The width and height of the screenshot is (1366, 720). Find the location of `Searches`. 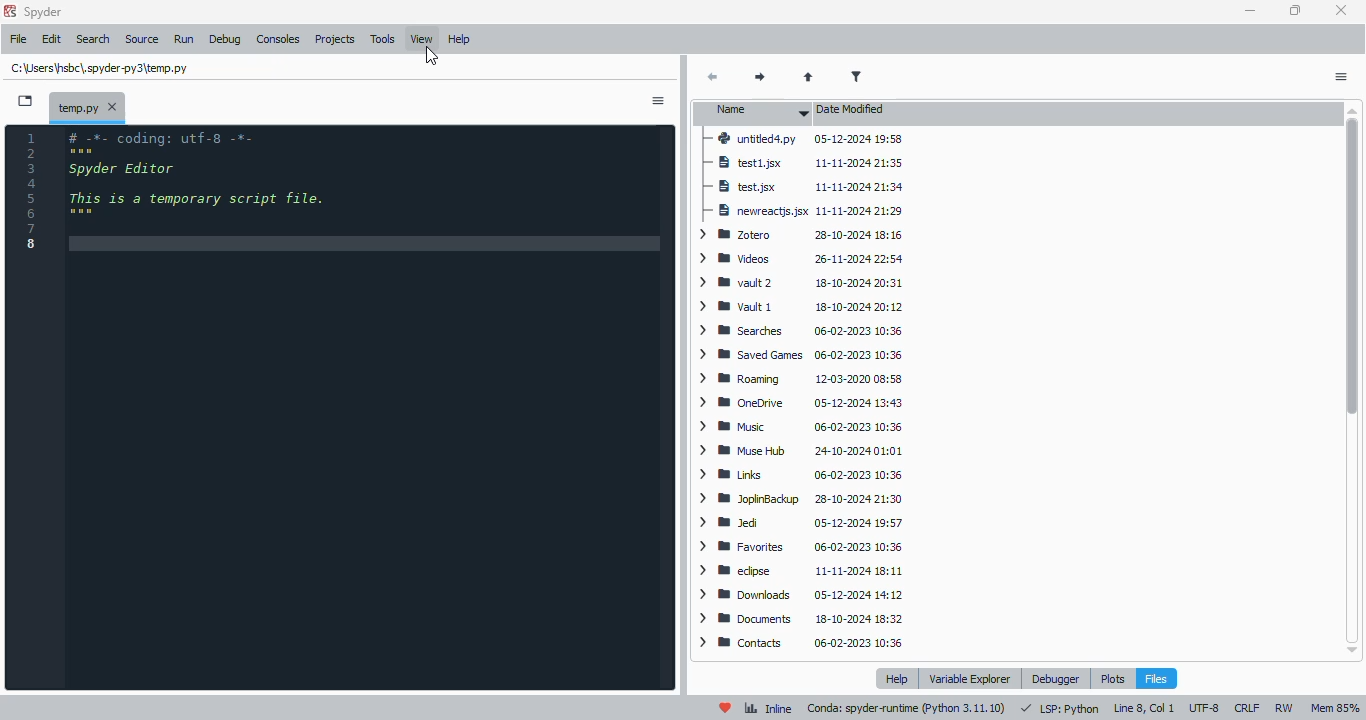

Searches is located at coordinates (802, 331).